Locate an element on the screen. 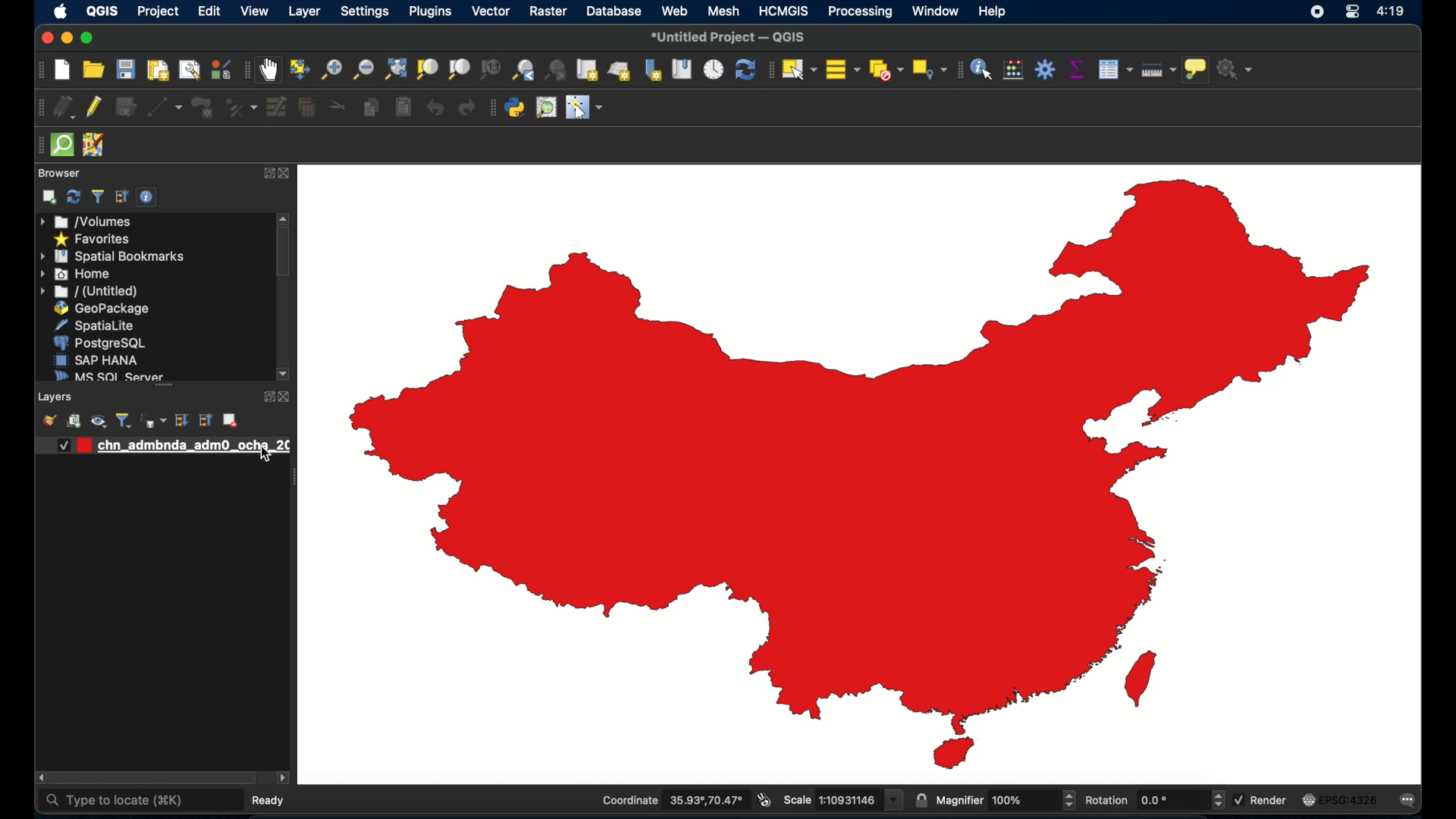  boundary map of china is located at coordinates (862, 474).